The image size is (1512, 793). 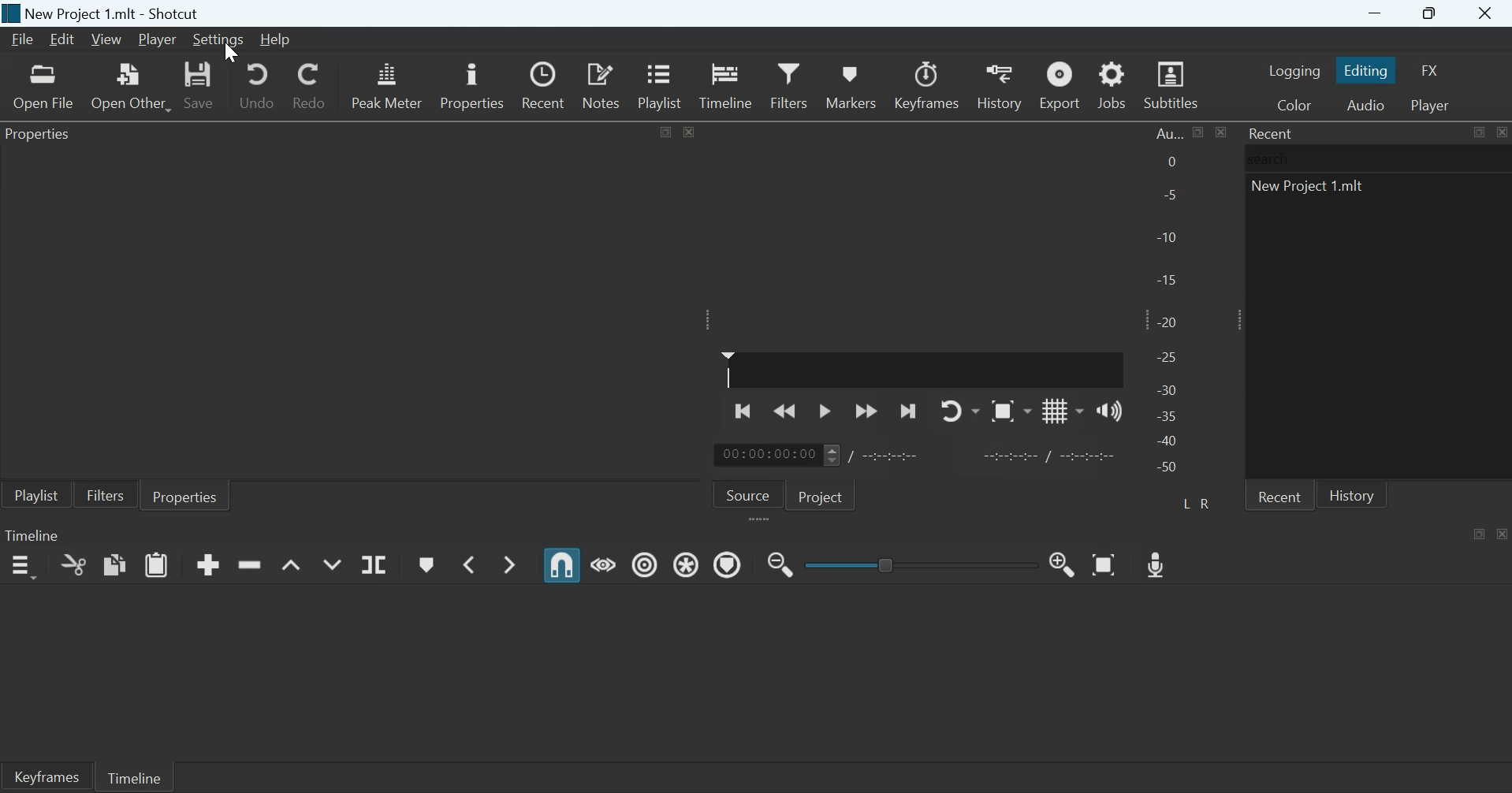 What do you see at coordinates (24, 39) in the screenshot?
I see `File` at bounding box center [24, 39].